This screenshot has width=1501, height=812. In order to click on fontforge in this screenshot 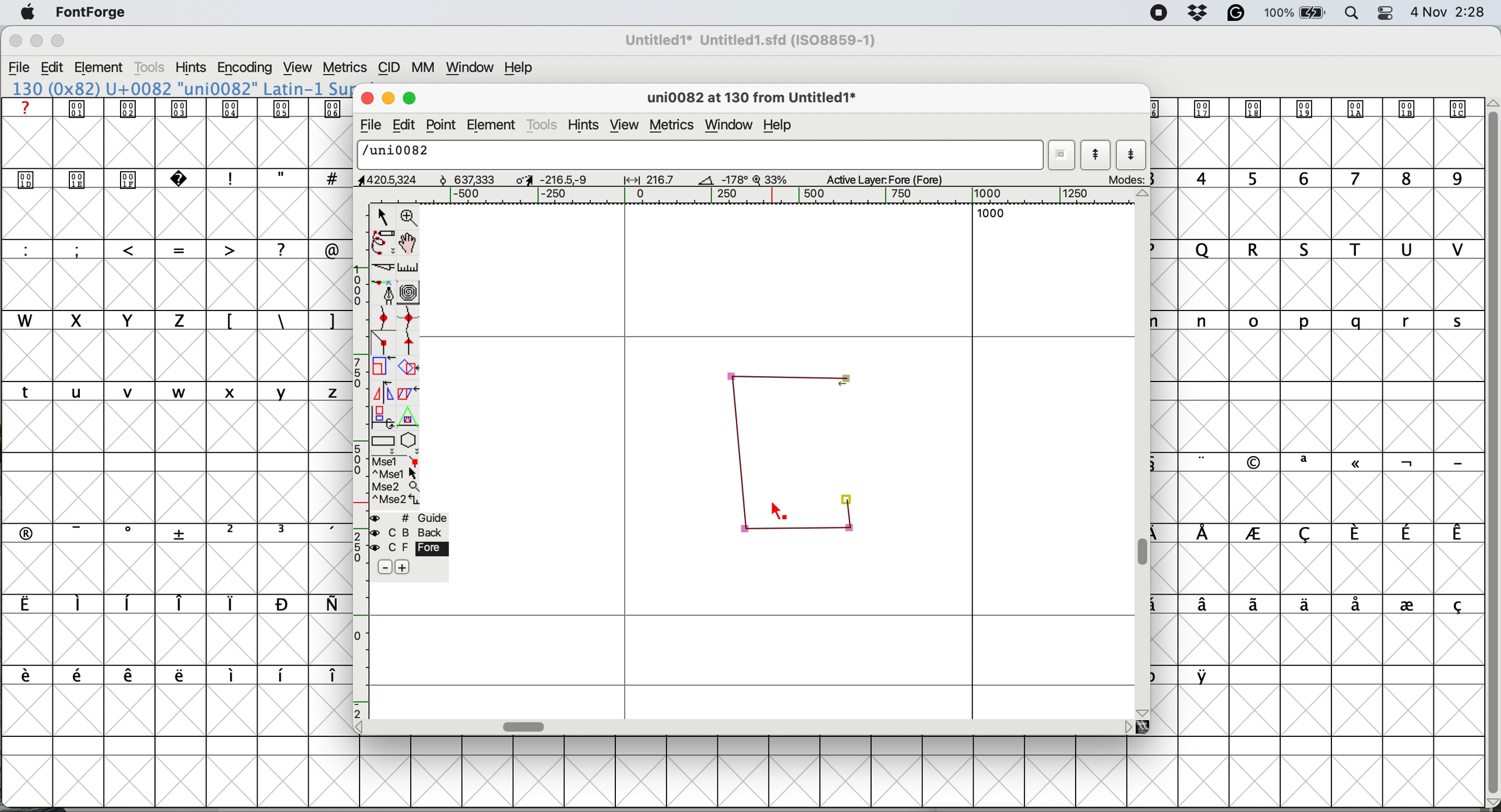, I will do `click(92, 12)`.